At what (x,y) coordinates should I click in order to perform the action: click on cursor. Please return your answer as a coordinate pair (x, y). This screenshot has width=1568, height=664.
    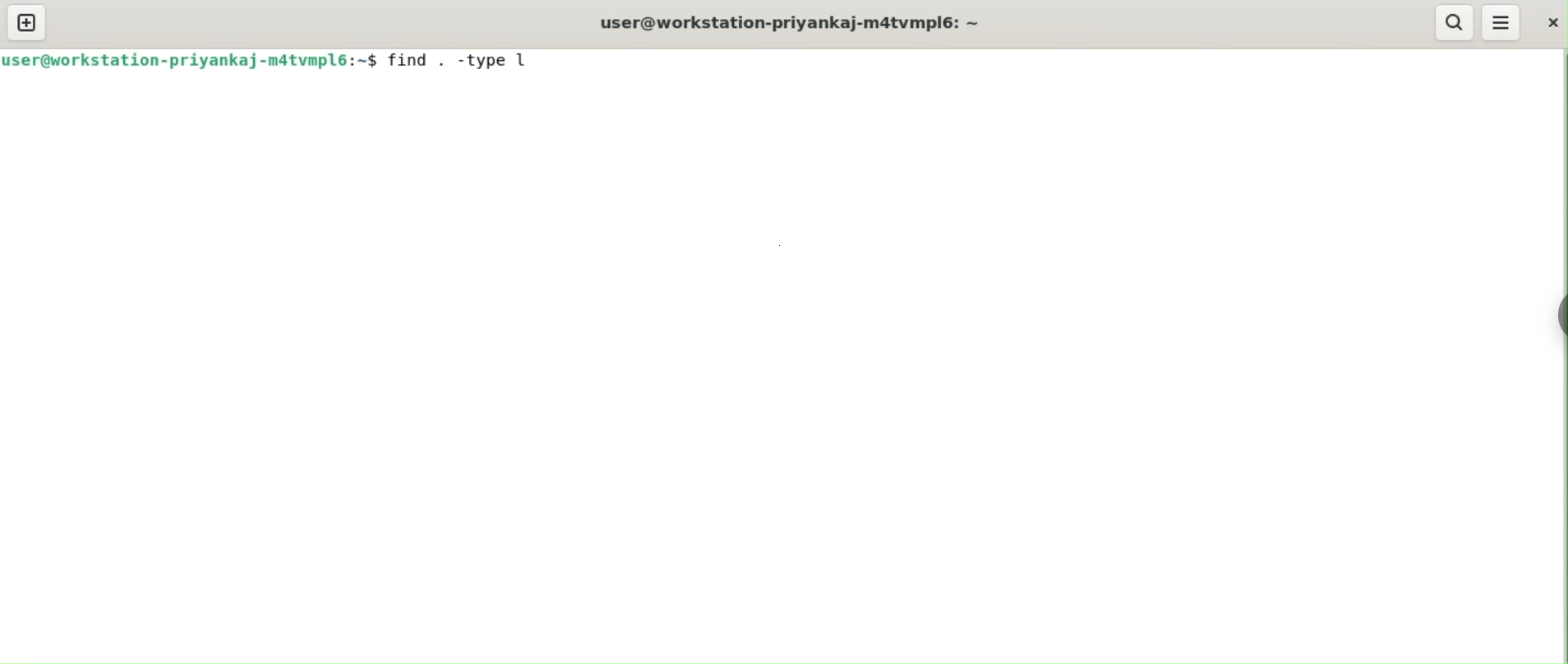
    Looking at the image, I should click on (537, 61).